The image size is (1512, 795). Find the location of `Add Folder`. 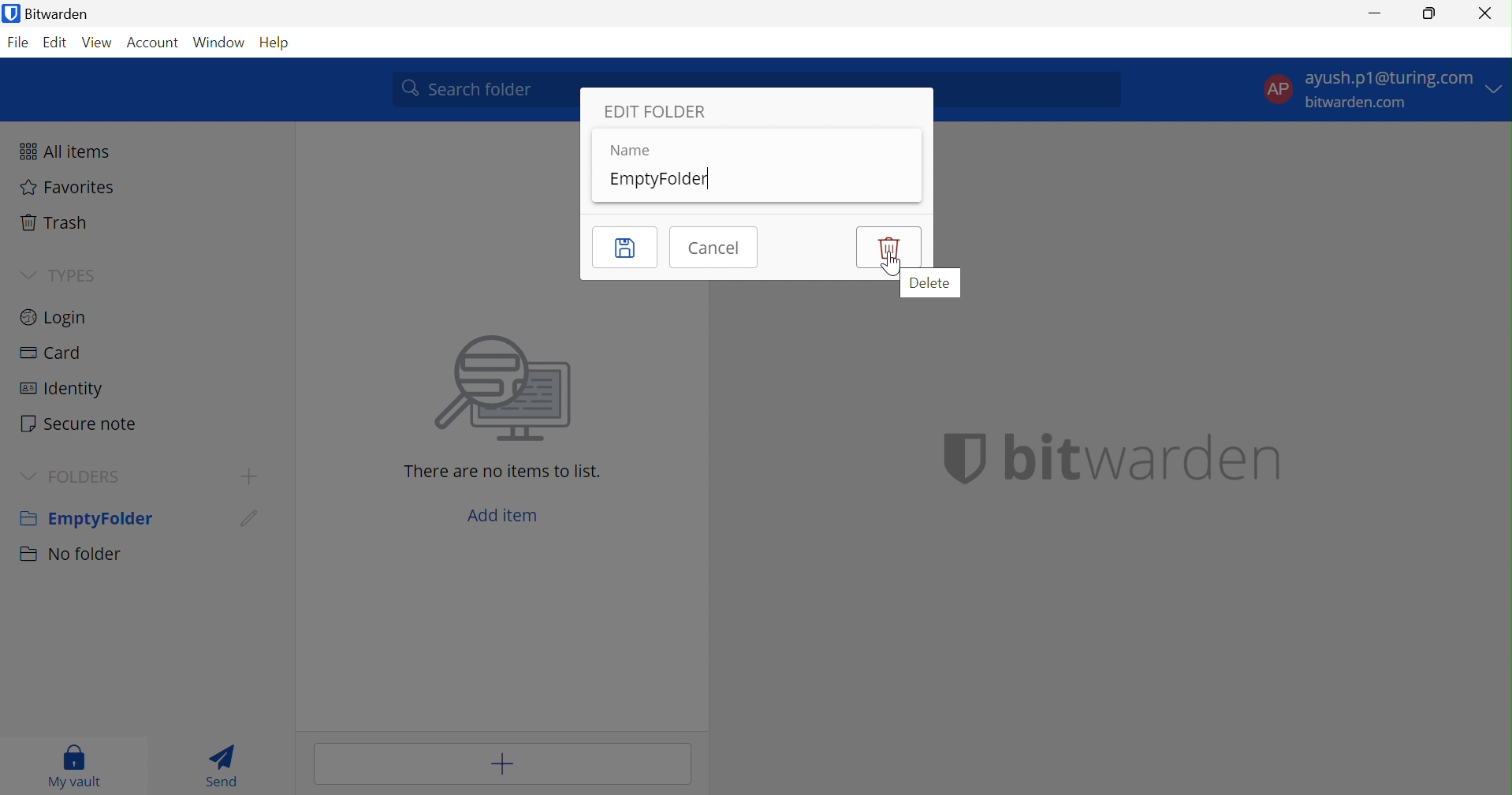

Add Folder is located at coordinates (252, 476).